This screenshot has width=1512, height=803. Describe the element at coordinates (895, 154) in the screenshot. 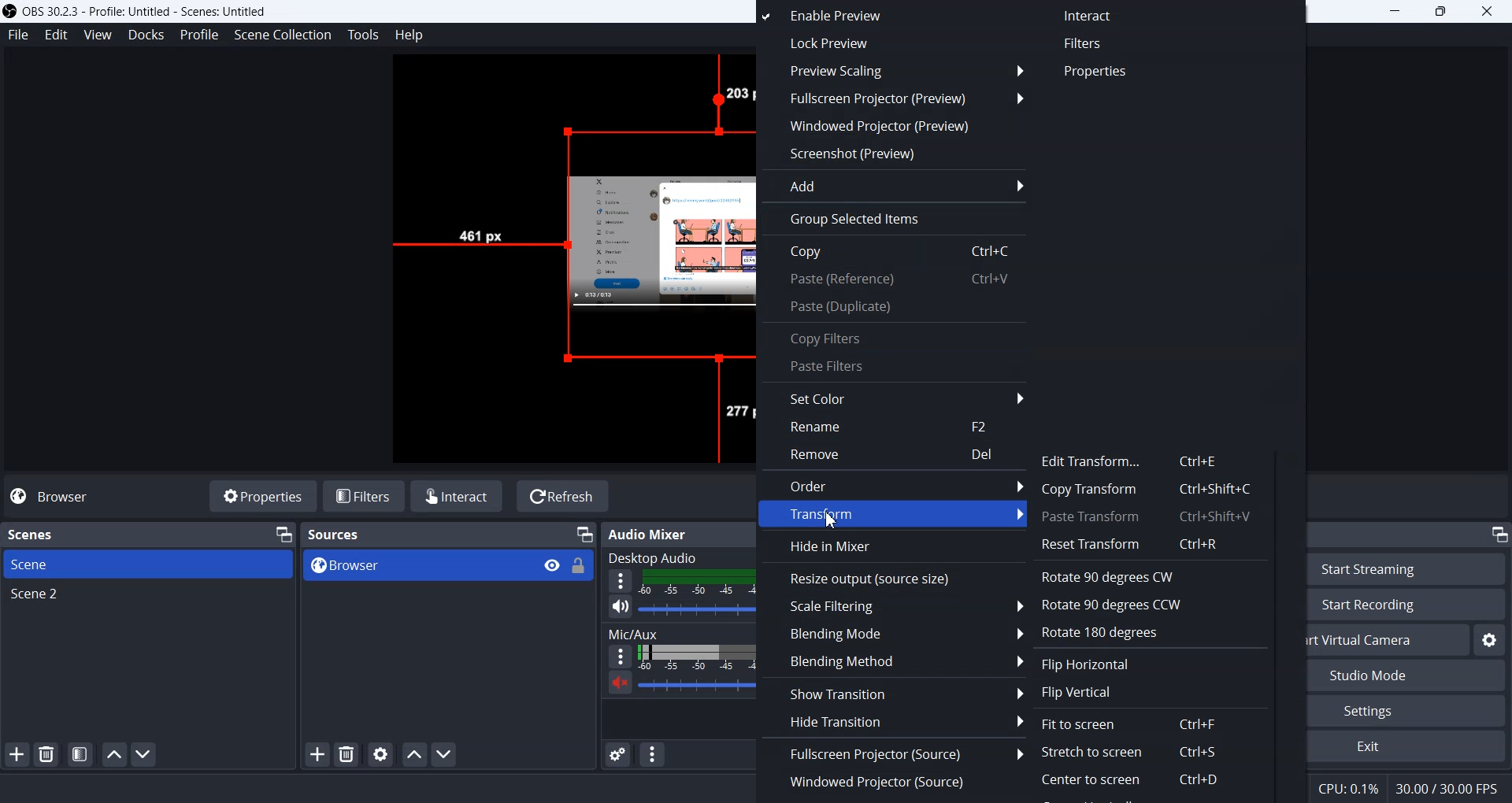

I see `Screenshot(preview)` at that location.